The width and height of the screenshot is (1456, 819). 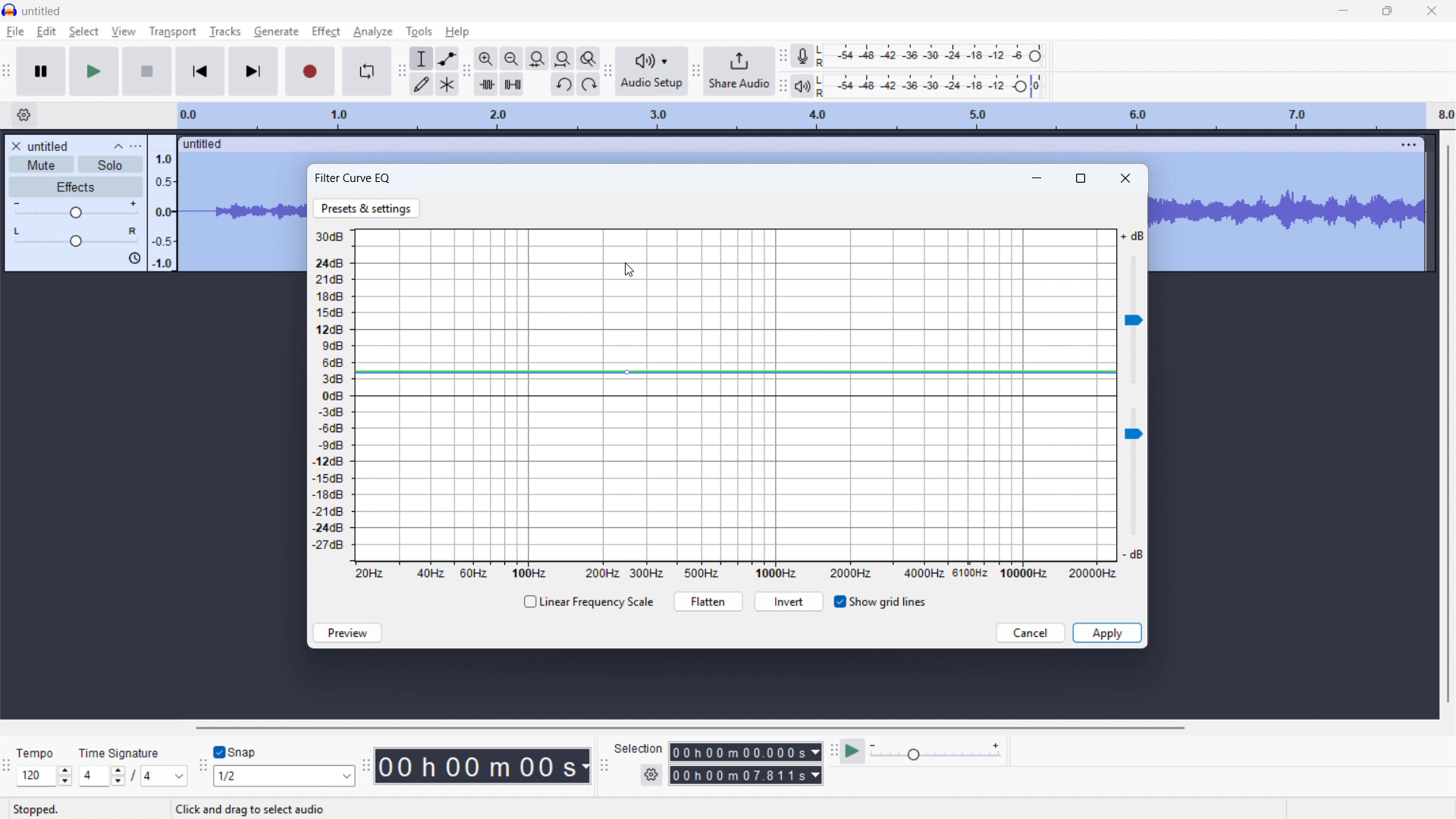 What do you see at coordinates (15, 146) in the screenshot?
I see `remove track` at bounding box center [15, 146].